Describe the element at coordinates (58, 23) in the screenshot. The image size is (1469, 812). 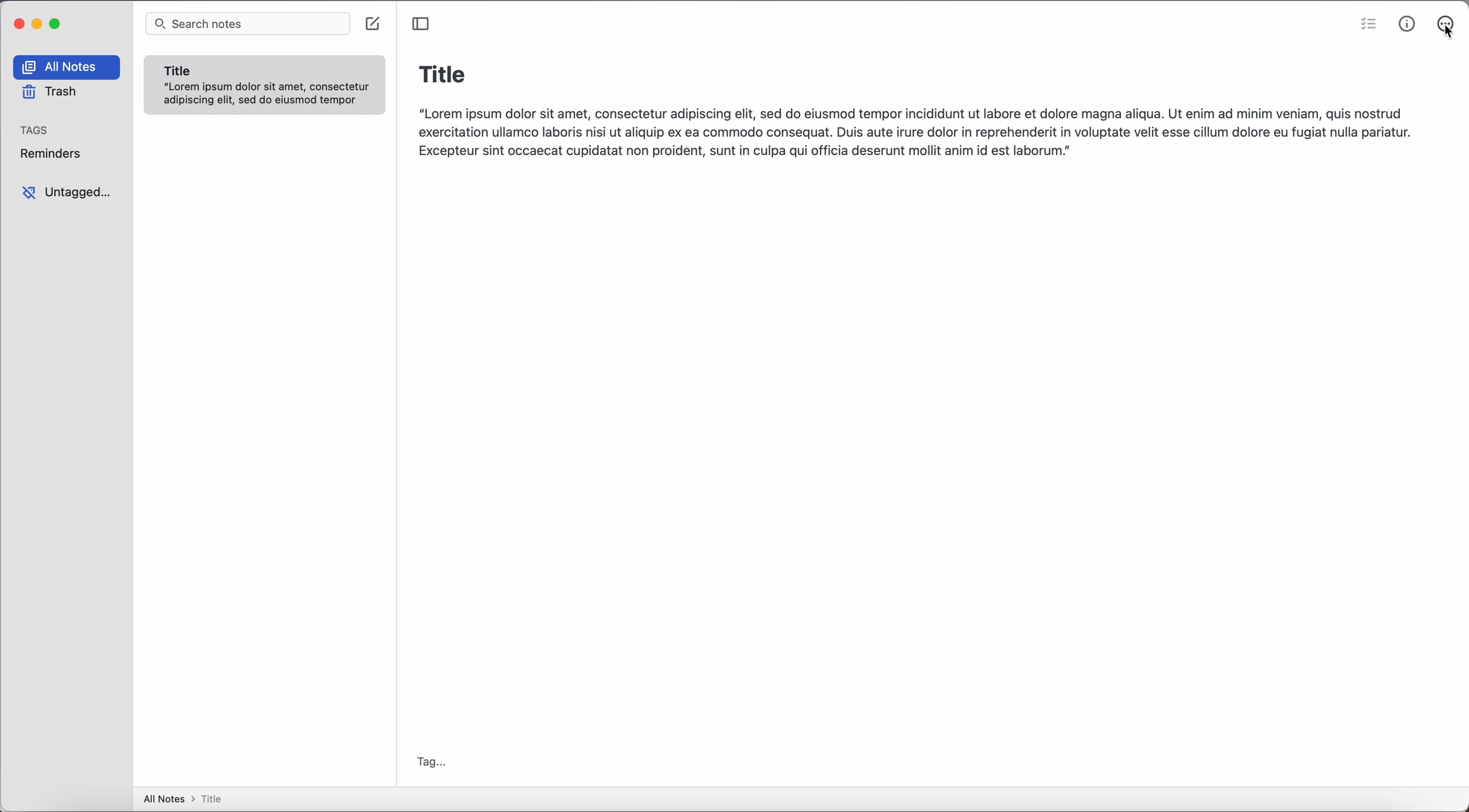
I see `maximize app` at that location.